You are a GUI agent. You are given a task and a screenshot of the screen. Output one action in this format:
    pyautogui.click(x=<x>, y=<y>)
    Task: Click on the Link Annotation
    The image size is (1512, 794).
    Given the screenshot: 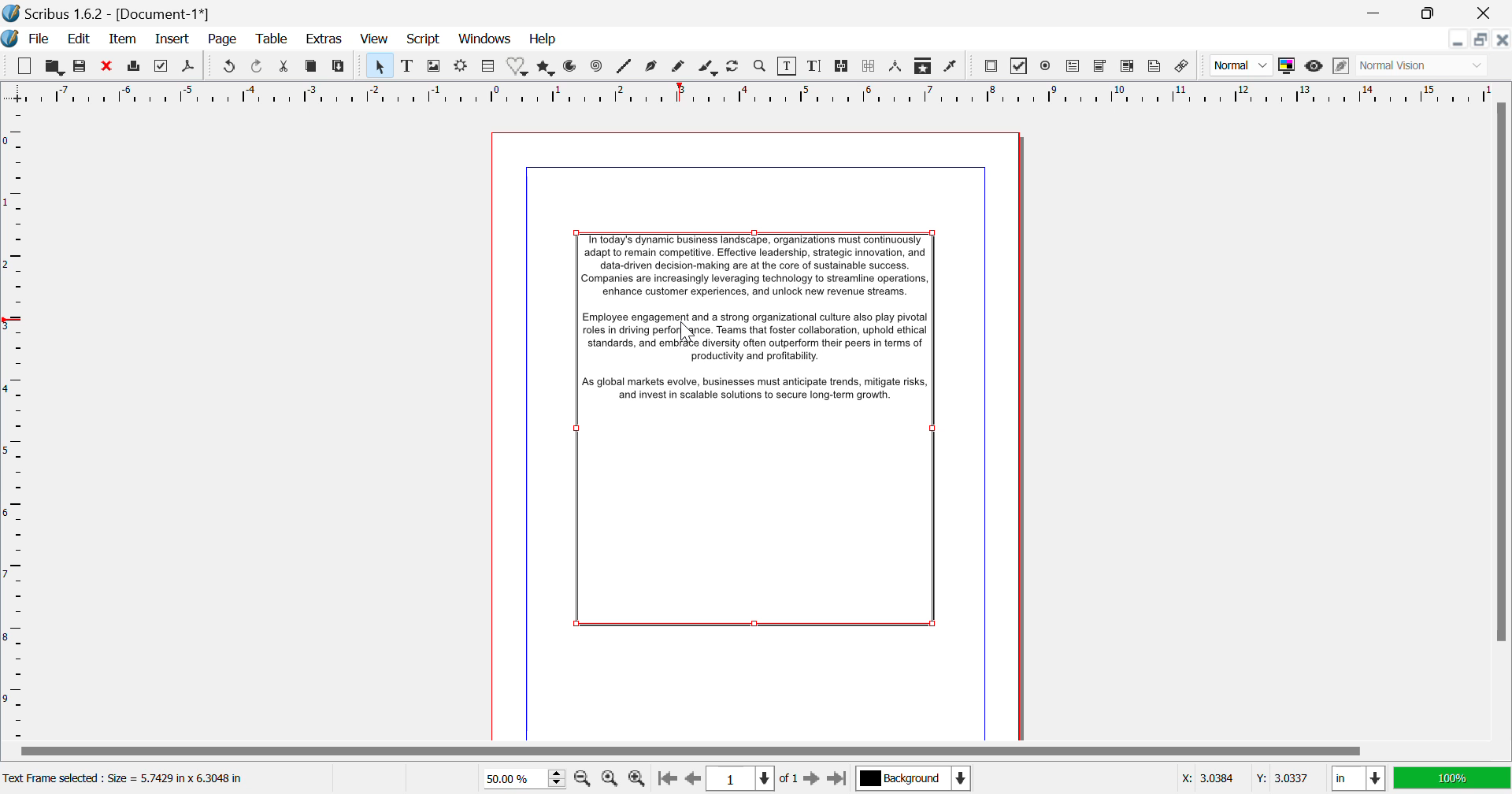 What is the action you would take?
    pyautogui.click(x=1184, y=68)
    